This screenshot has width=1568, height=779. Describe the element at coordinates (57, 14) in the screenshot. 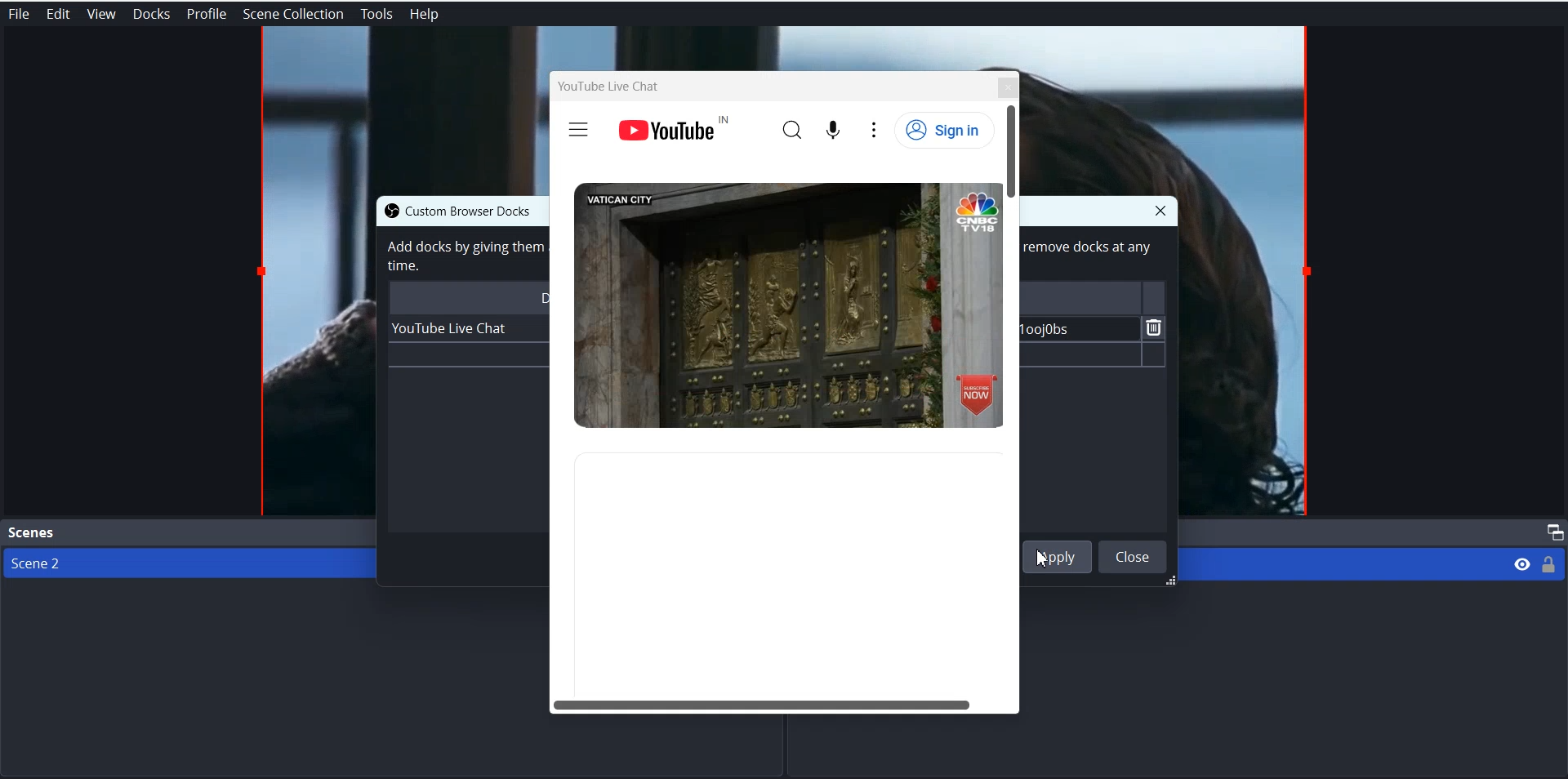

I see `Edit` at that location.